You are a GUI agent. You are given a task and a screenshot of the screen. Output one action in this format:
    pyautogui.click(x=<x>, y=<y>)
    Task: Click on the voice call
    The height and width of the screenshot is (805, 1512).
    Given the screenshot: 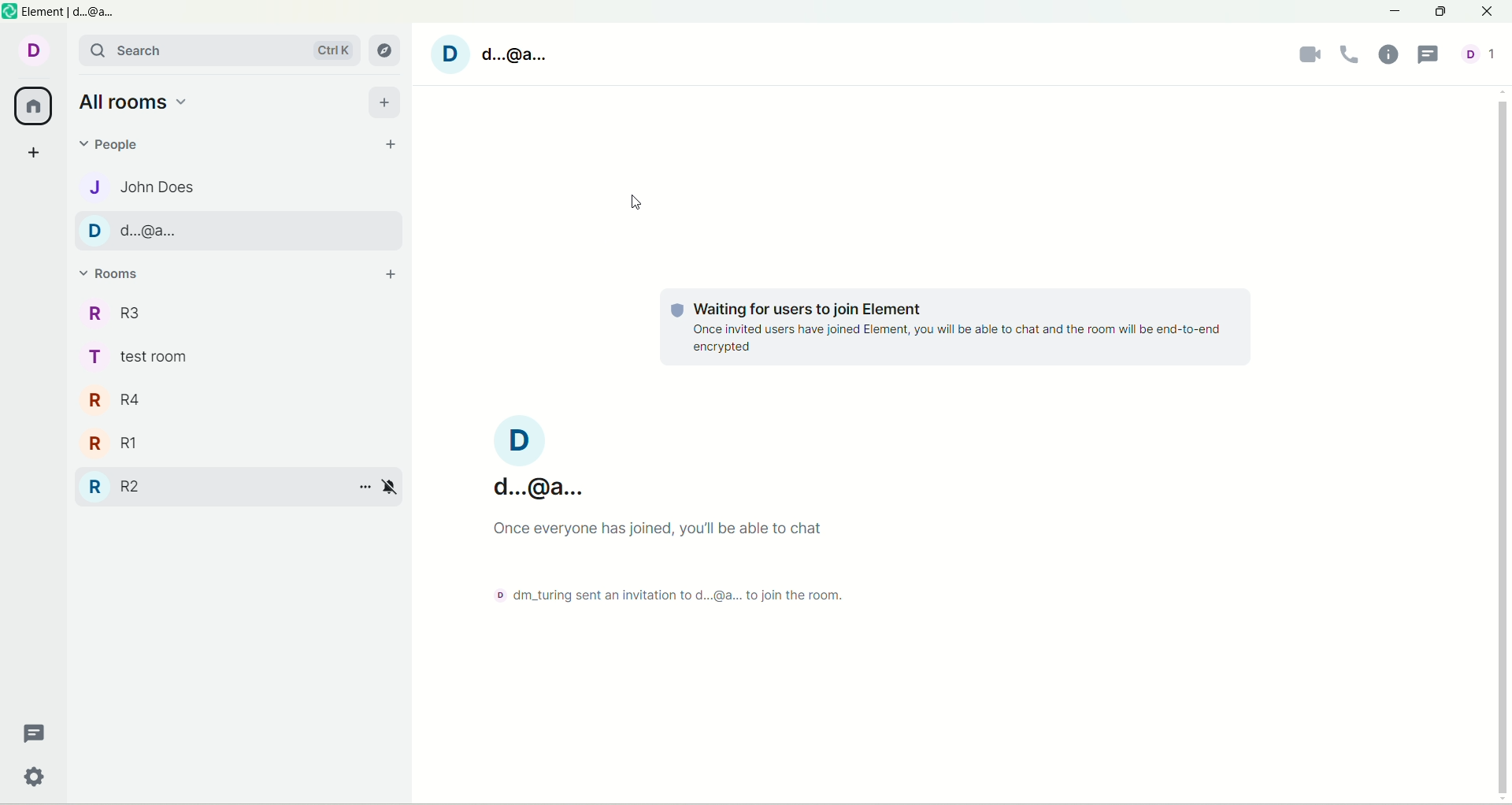 What is the action you would take?
    pyautogui.click(x=1352, y=55)
    